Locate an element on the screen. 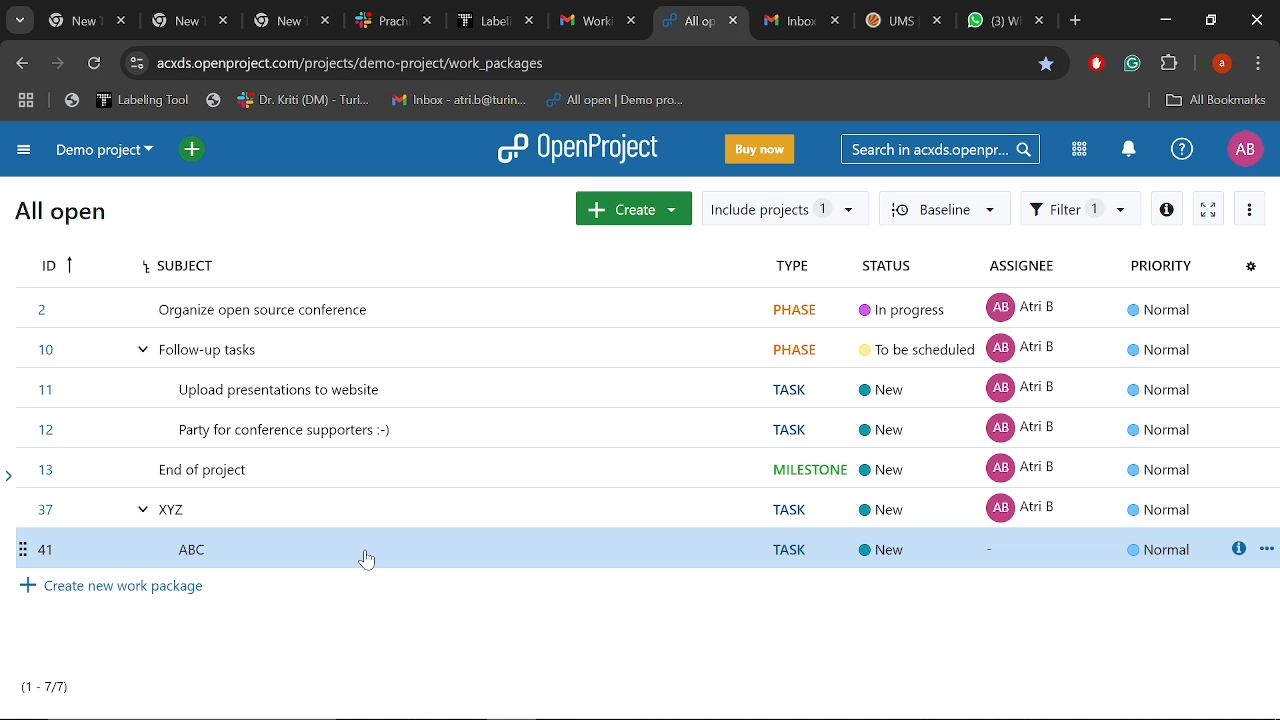 This screenshot has width=1280, height=720. New work package is located at coordinates (634, 207).